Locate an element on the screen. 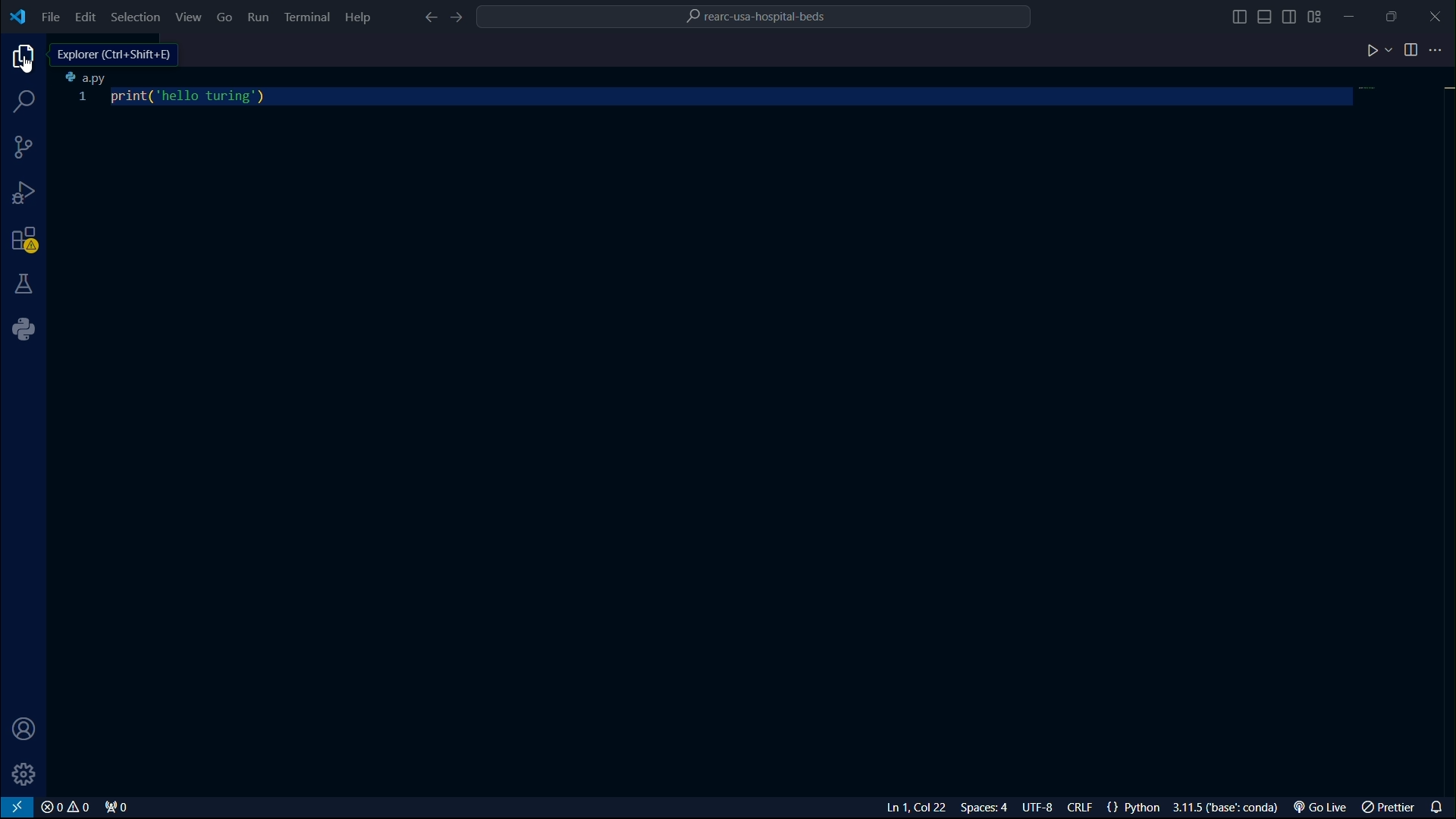 Image resolution: width=1456 pixels, height=819 pixels. explorer is located at coordinates (24, 58).